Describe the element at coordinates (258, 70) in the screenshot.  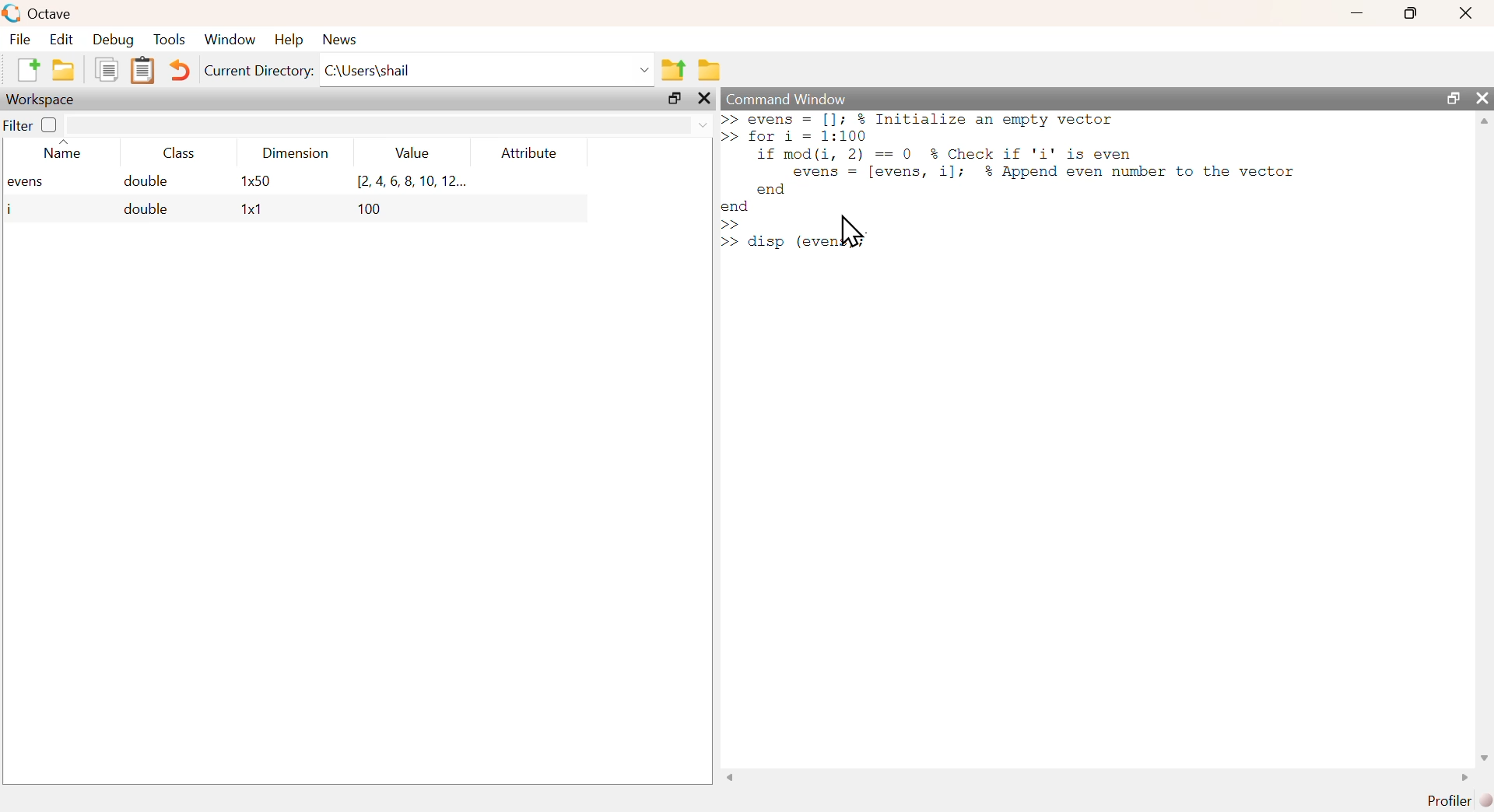
I see `current directory` at that location.